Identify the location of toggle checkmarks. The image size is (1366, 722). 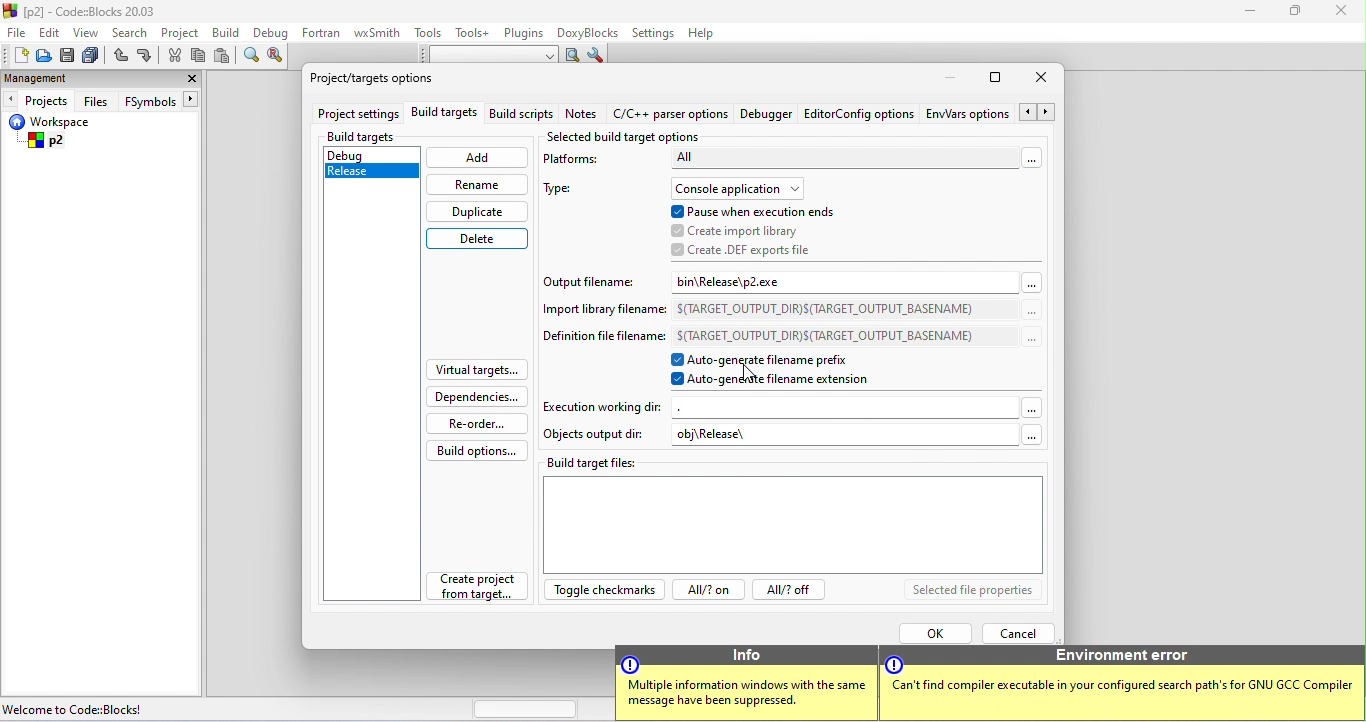
(601, 593).